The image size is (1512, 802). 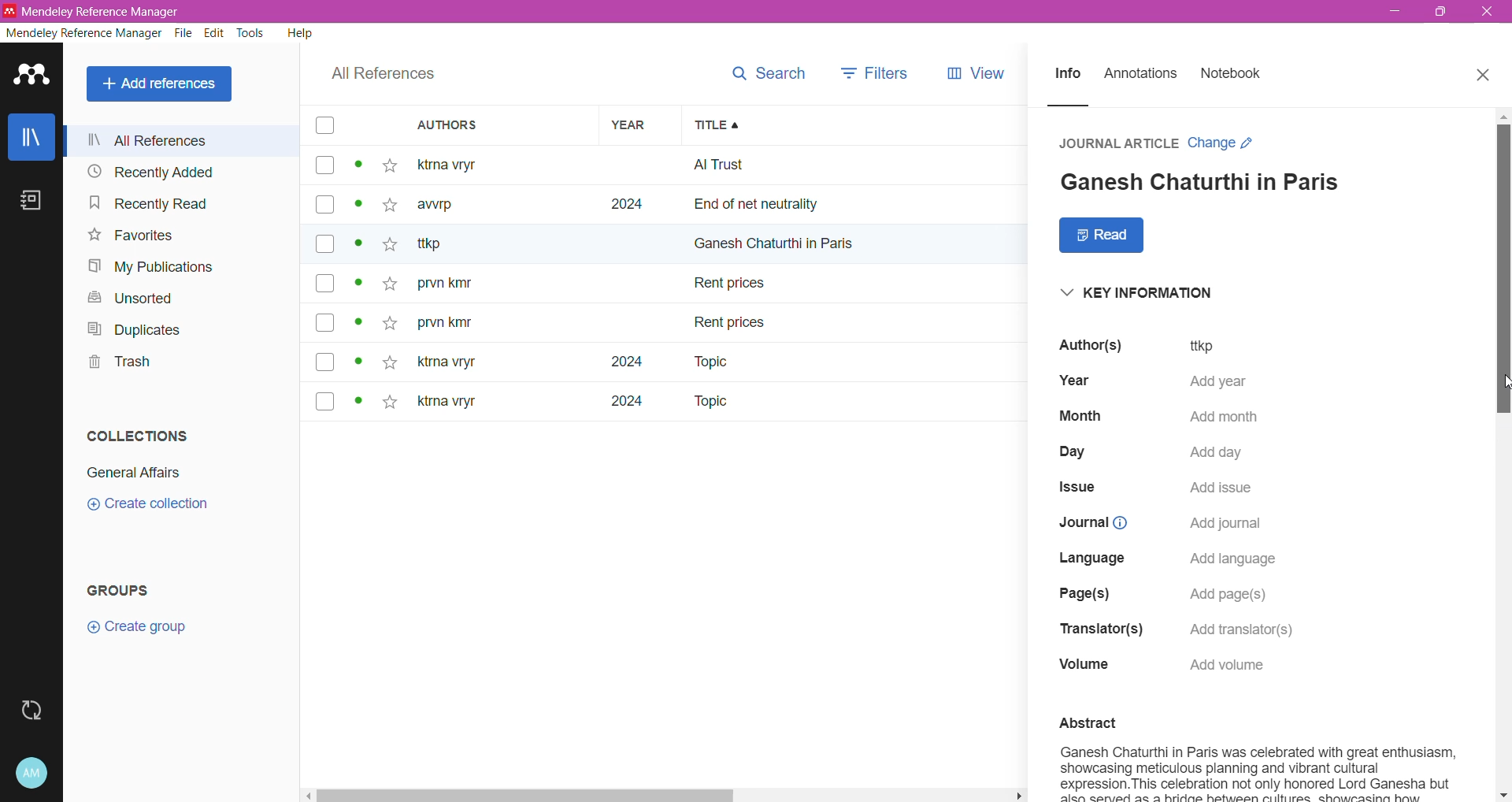 What do you see at coordinates (1068, 76) in the screenshot?
I see `Info` at bounding box center [1068, 76].